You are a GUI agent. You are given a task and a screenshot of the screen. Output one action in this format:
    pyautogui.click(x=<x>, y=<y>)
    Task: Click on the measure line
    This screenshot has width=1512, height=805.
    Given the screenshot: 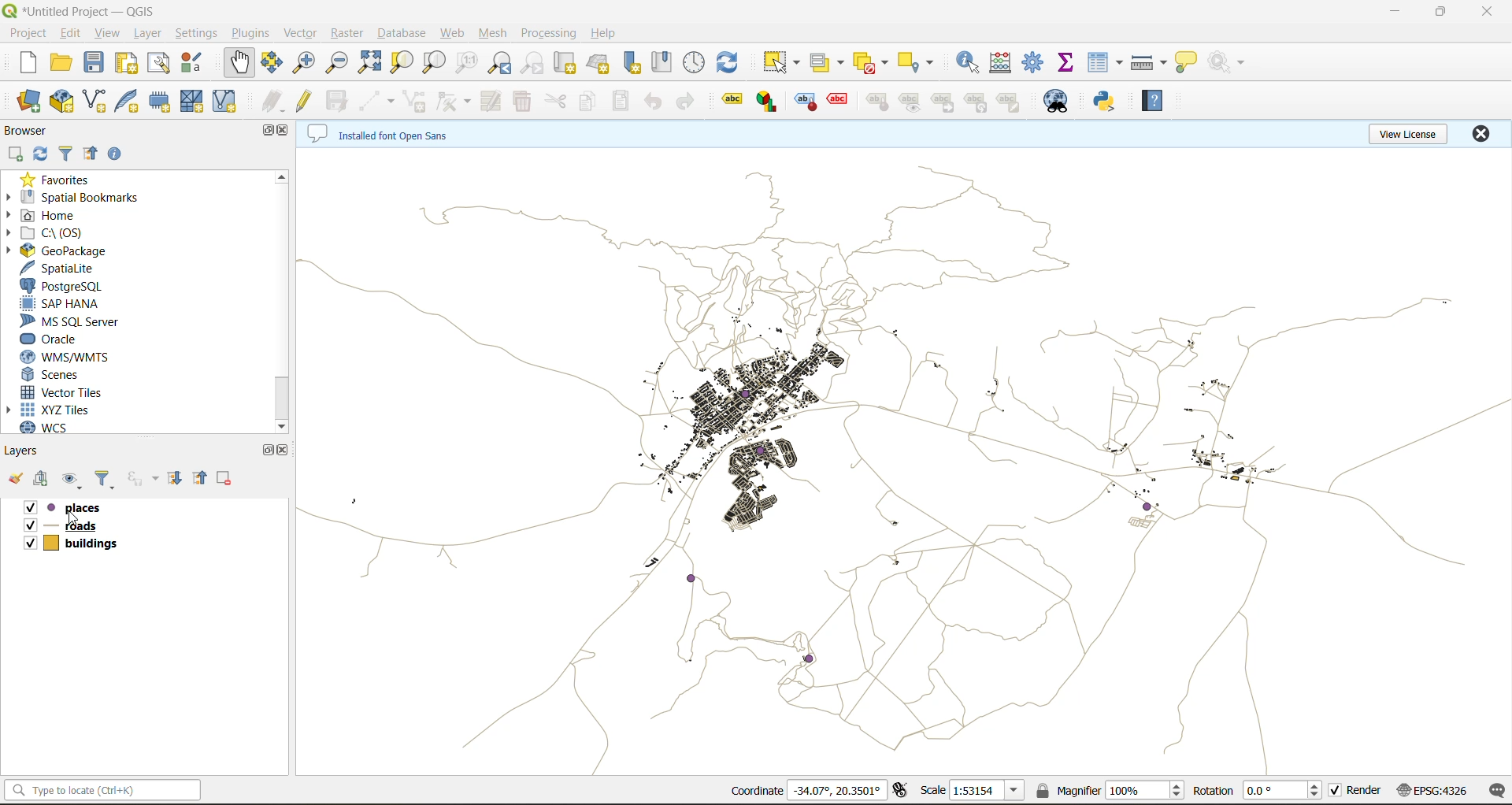 What is the action you would take?
    pyautogui.click(x=1151, y=65)
    